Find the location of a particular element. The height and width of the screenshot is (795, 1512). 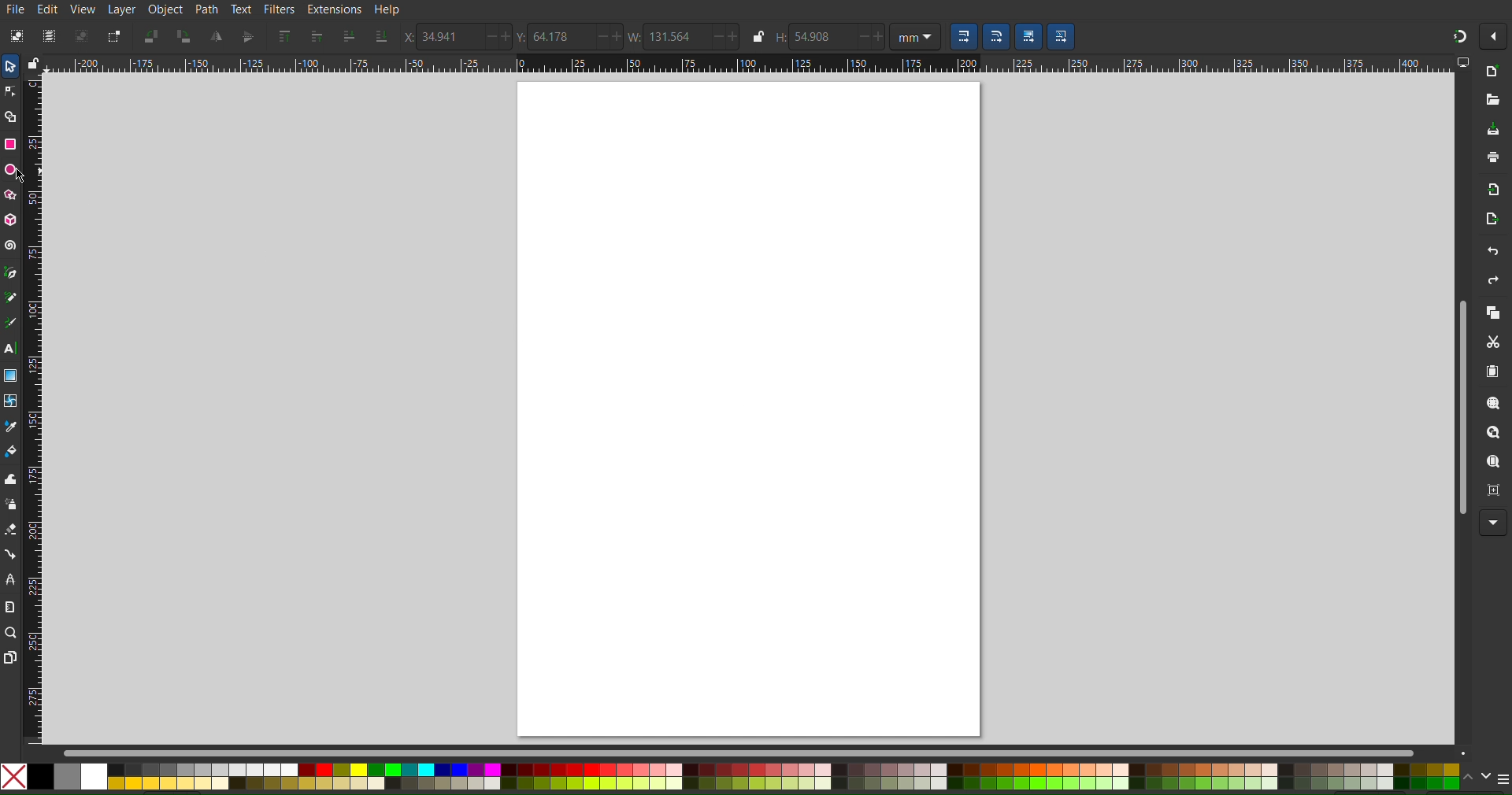

increase/decrease is located at coordinates (725, 36).